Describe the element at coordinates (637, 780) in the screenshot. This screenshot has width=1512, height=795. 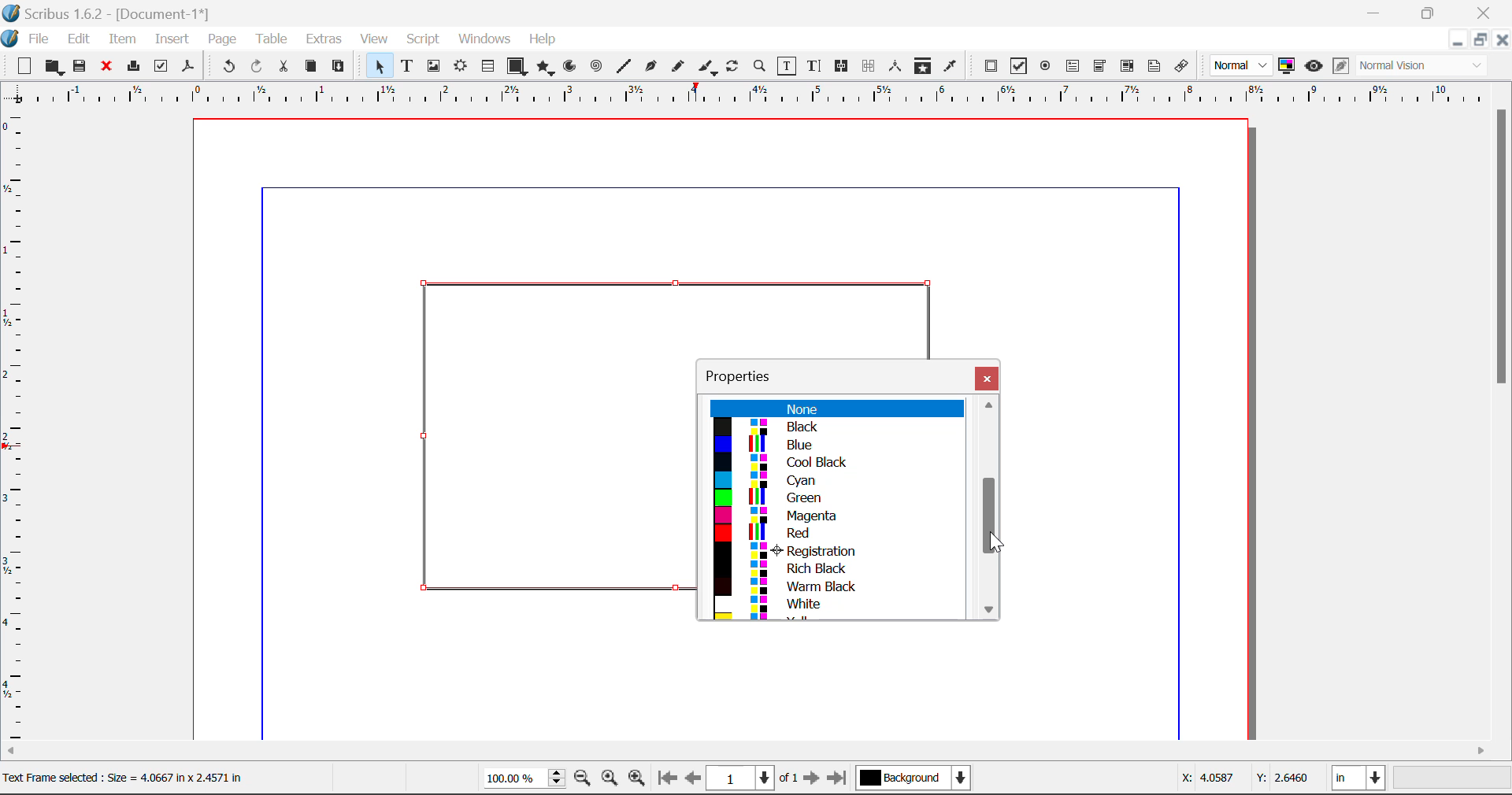
I see `Zoom In` at that location.